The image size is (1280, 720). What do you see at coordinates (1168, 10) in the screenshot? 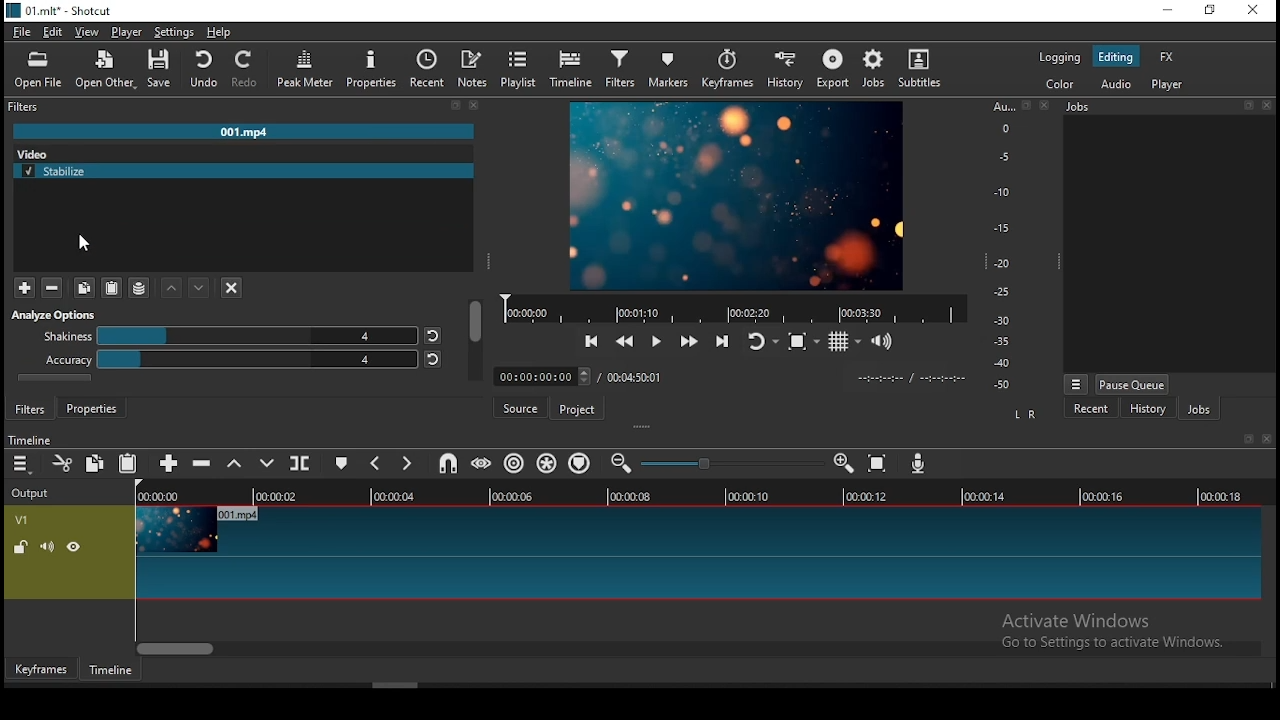
I see `minimize` at bounding box center [1168, 10].